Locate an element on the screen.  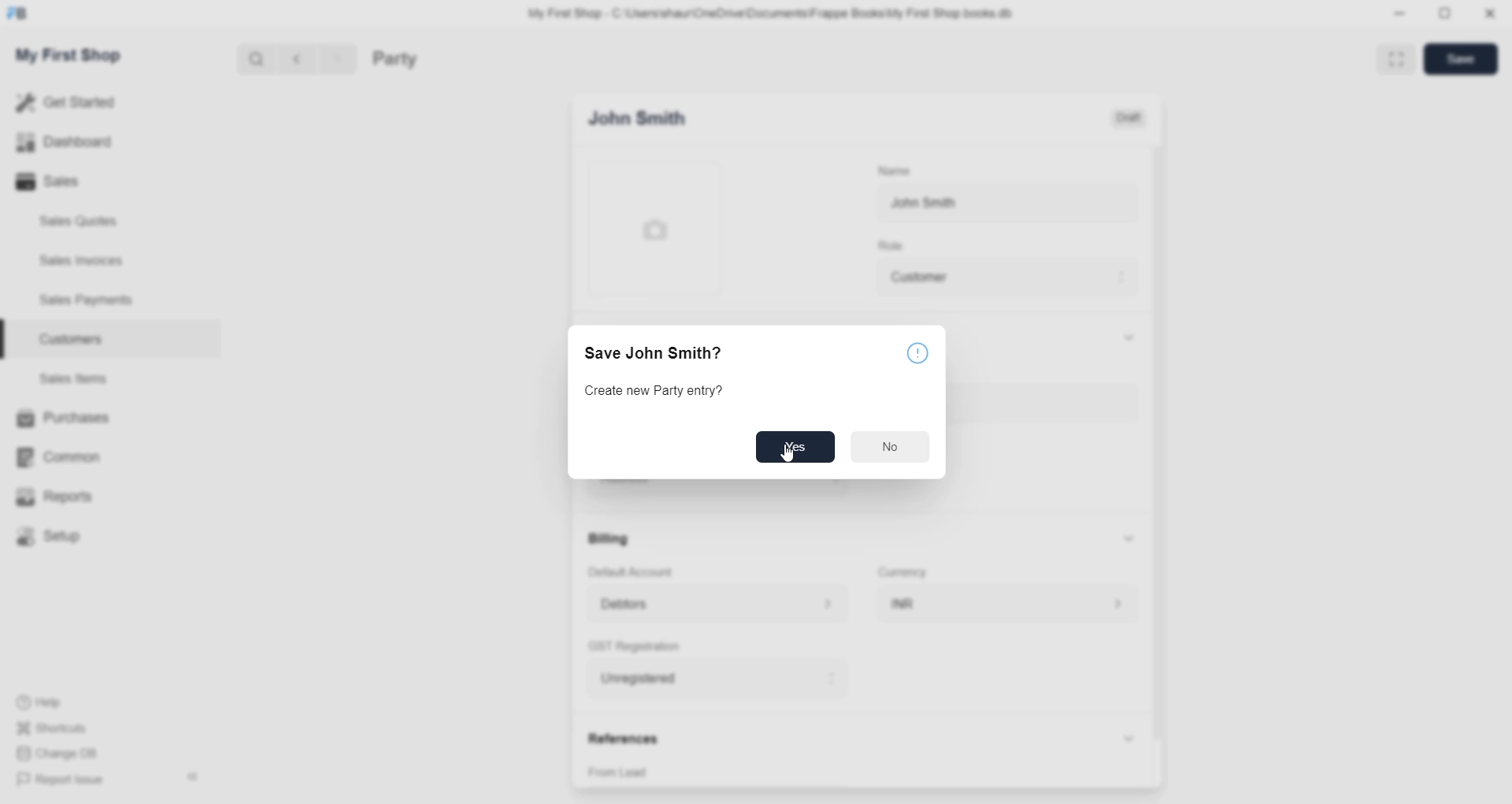
sales invoices  is located at coordinates (80, 262).